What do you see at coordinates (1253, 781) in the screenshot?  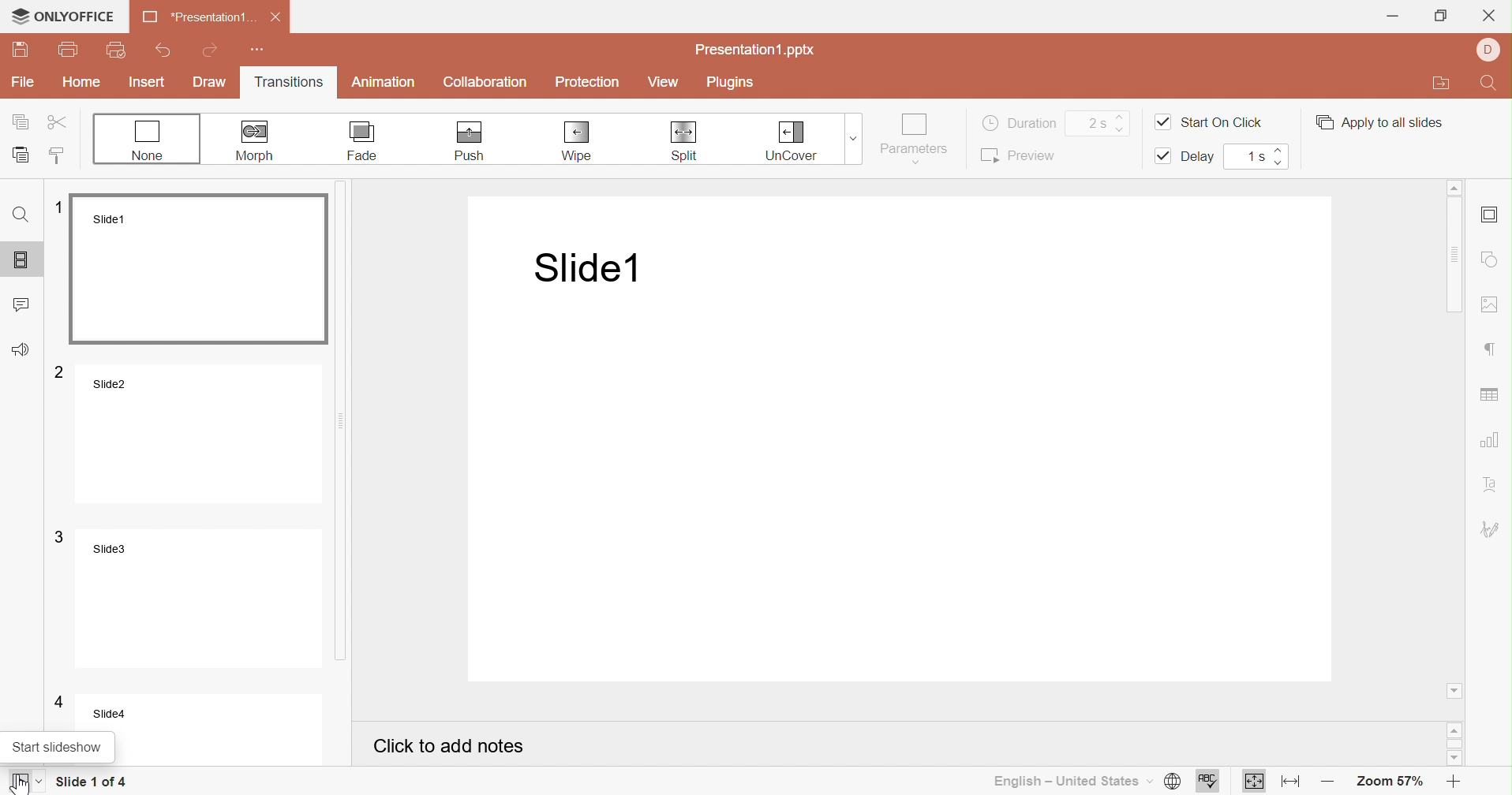 I see `Fit to slide` at bounding box center [1253, 781].